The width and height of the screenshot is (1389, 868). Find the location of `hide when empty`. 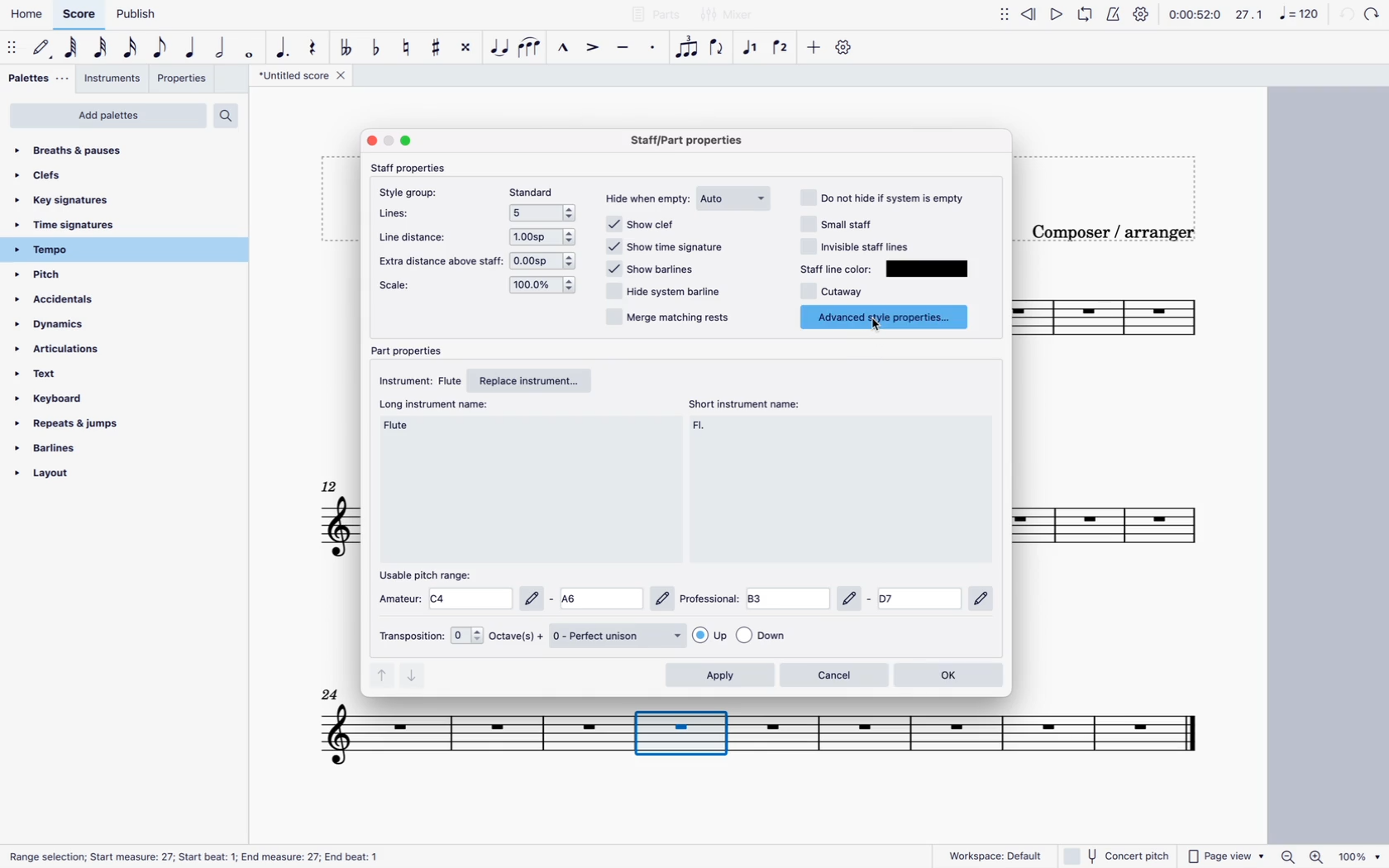

hide when empty is located at coordinates (647, 199).